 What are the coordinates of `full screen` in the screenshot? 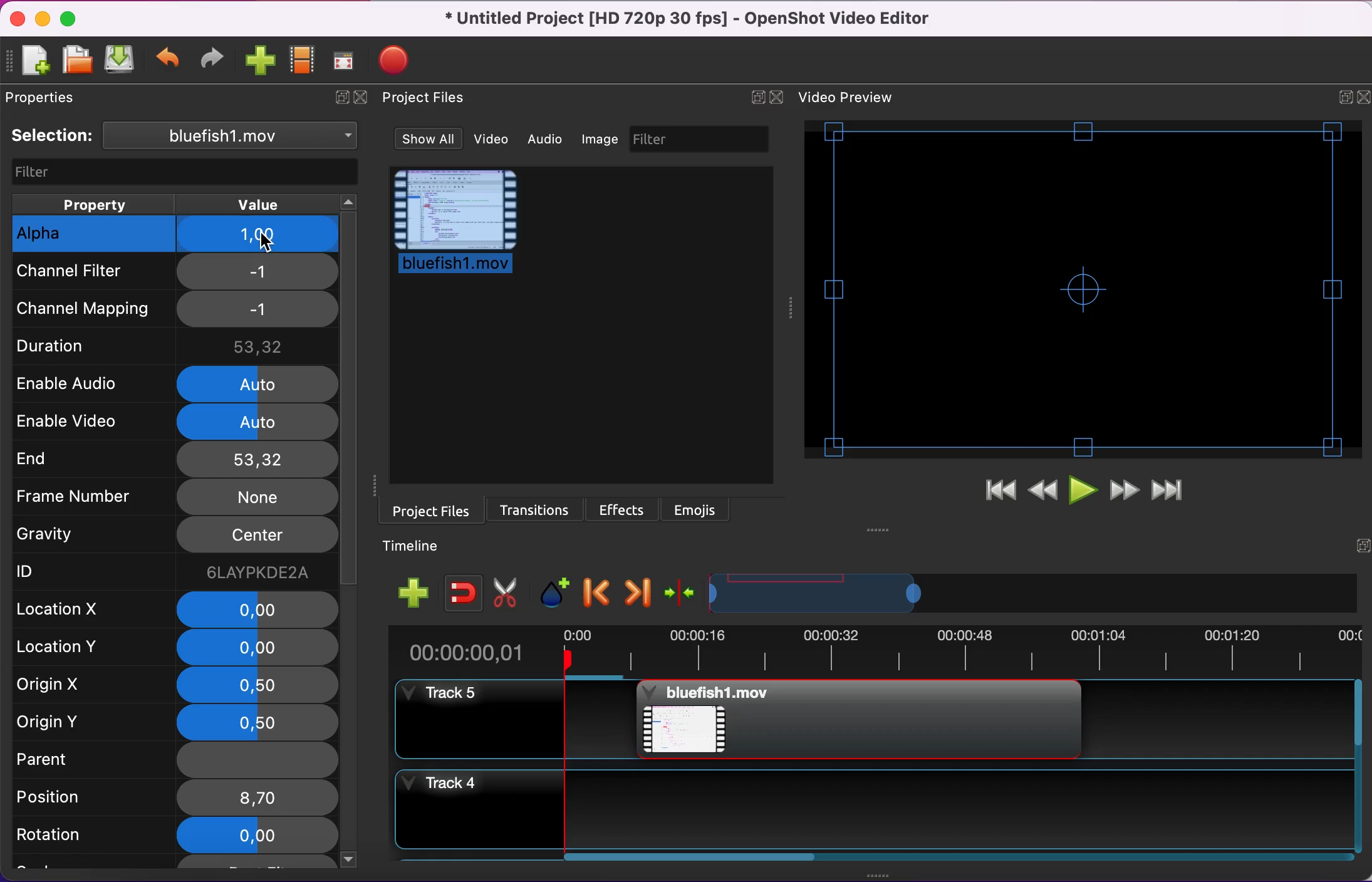 It's located at (346, 56).